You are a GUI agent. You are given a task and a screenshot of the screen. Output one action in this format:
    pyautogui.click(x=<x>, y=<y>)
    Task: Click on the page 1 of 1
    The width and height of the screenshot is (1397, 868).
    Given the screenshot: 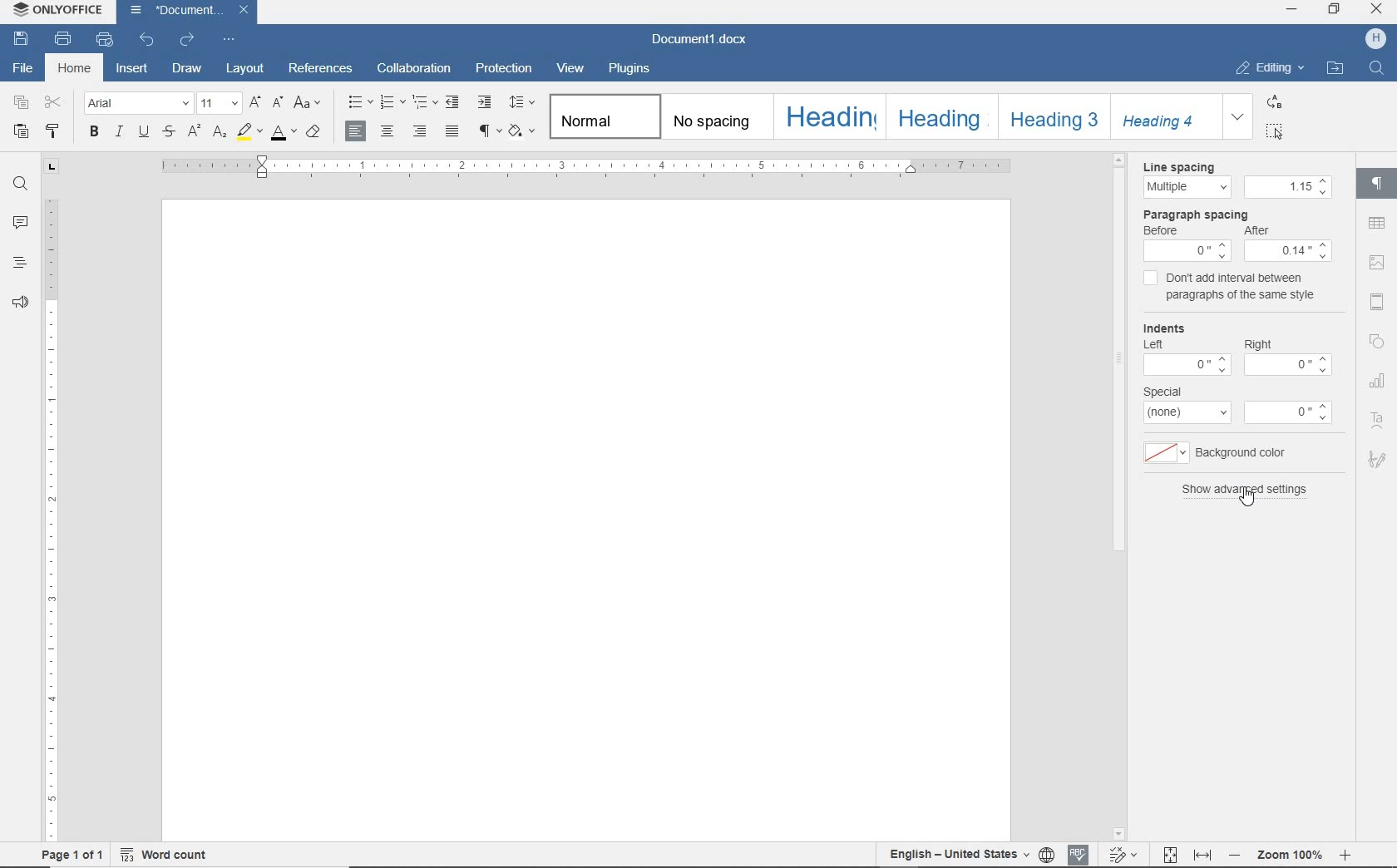 What is the action you would take?
    pyautogui.click(x=71, y=857)
    